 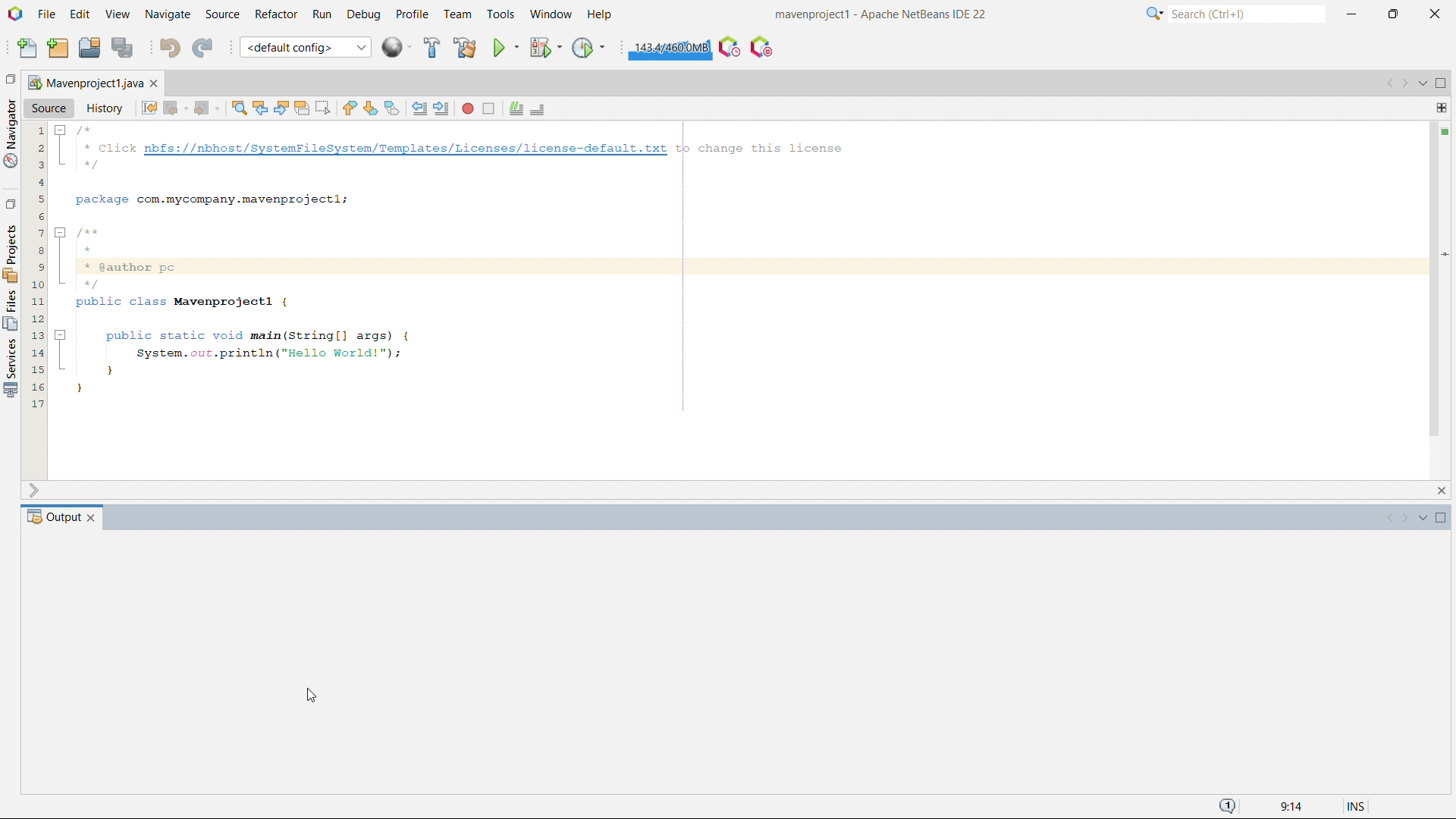 What do you see at coordinates (260, 108) in the screenshot?
I see `find previous occurance` at bounding box center [260, 108].